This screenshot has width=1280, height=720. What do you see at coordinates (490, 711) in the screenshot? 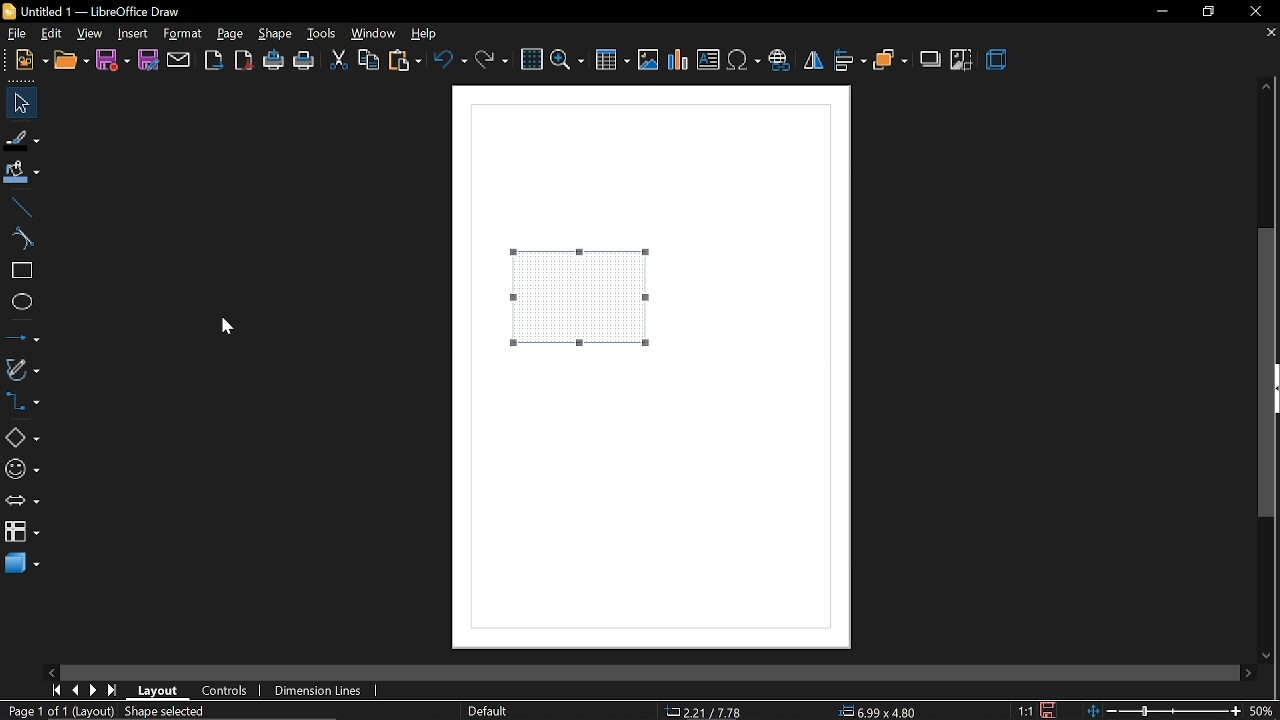
I see `page style` at bounding box center [490, 711].